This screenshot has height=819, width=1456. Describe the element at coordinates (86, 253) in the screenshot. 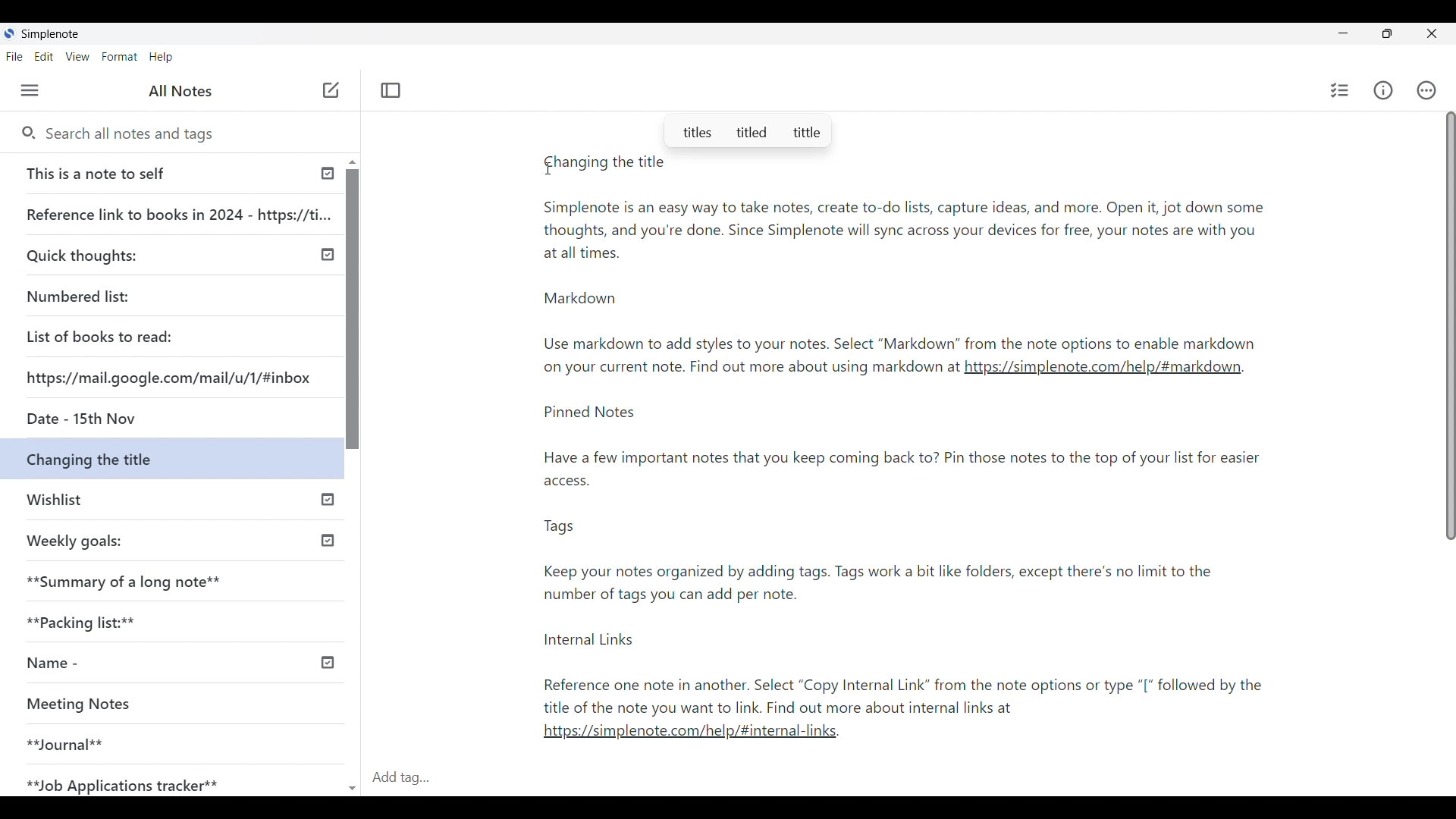

I see `Quick thoughts` at that location.